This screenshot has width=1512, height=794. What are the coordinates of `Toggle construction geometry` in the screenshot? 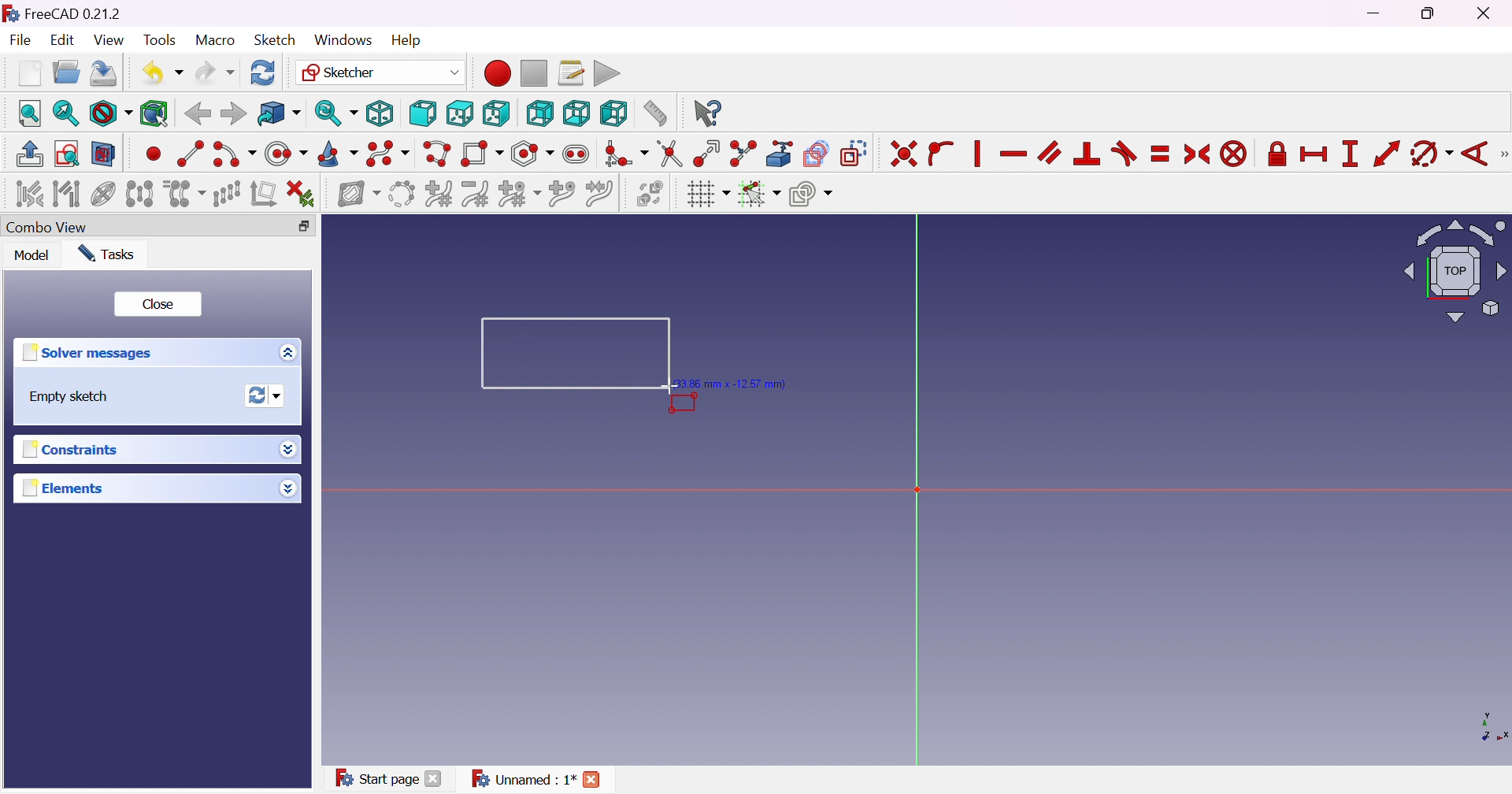 It's located at (855, 154).